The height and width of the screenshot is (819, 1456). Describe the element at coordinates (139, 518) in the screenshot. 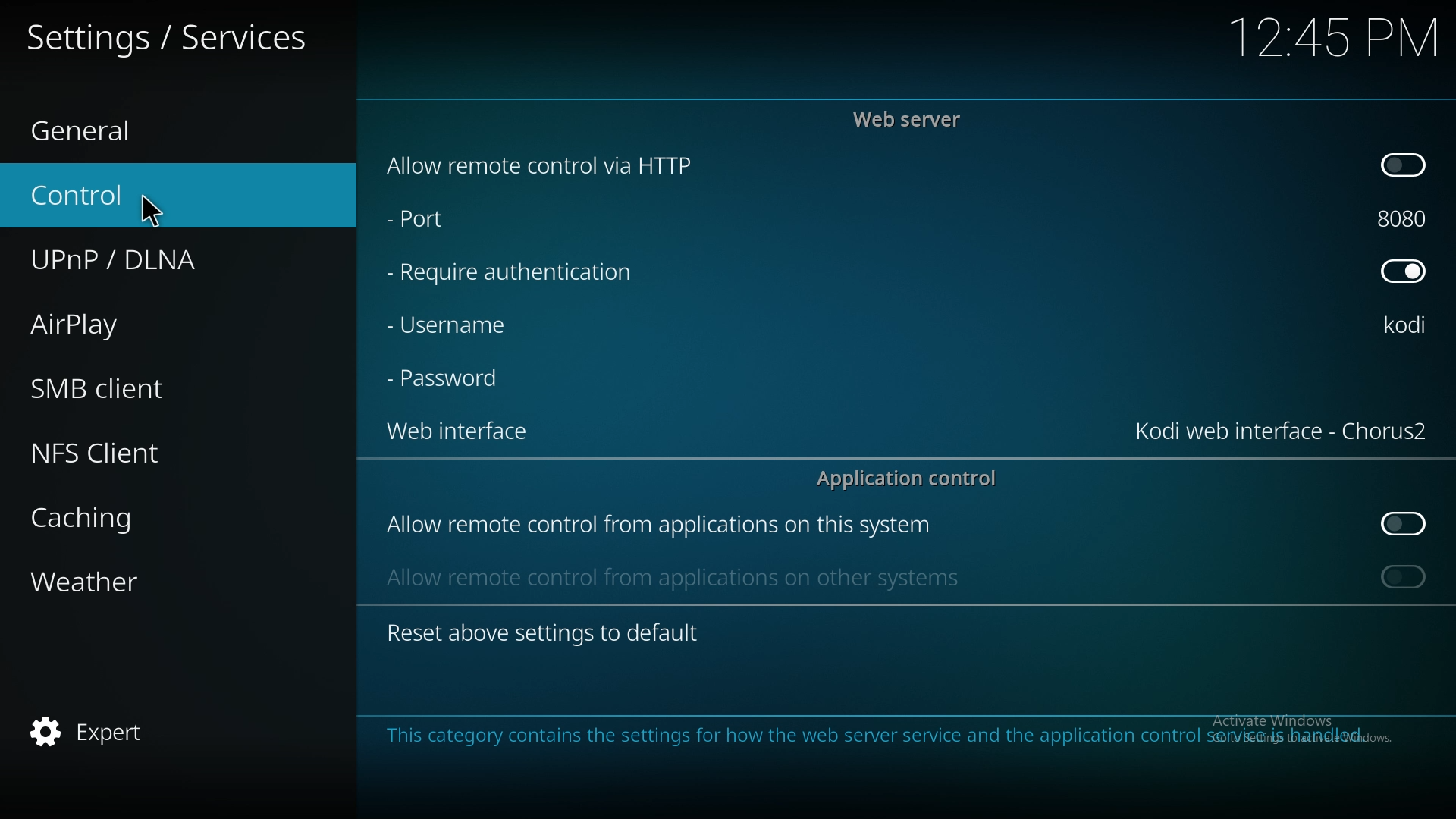

I see `caching` at that location.